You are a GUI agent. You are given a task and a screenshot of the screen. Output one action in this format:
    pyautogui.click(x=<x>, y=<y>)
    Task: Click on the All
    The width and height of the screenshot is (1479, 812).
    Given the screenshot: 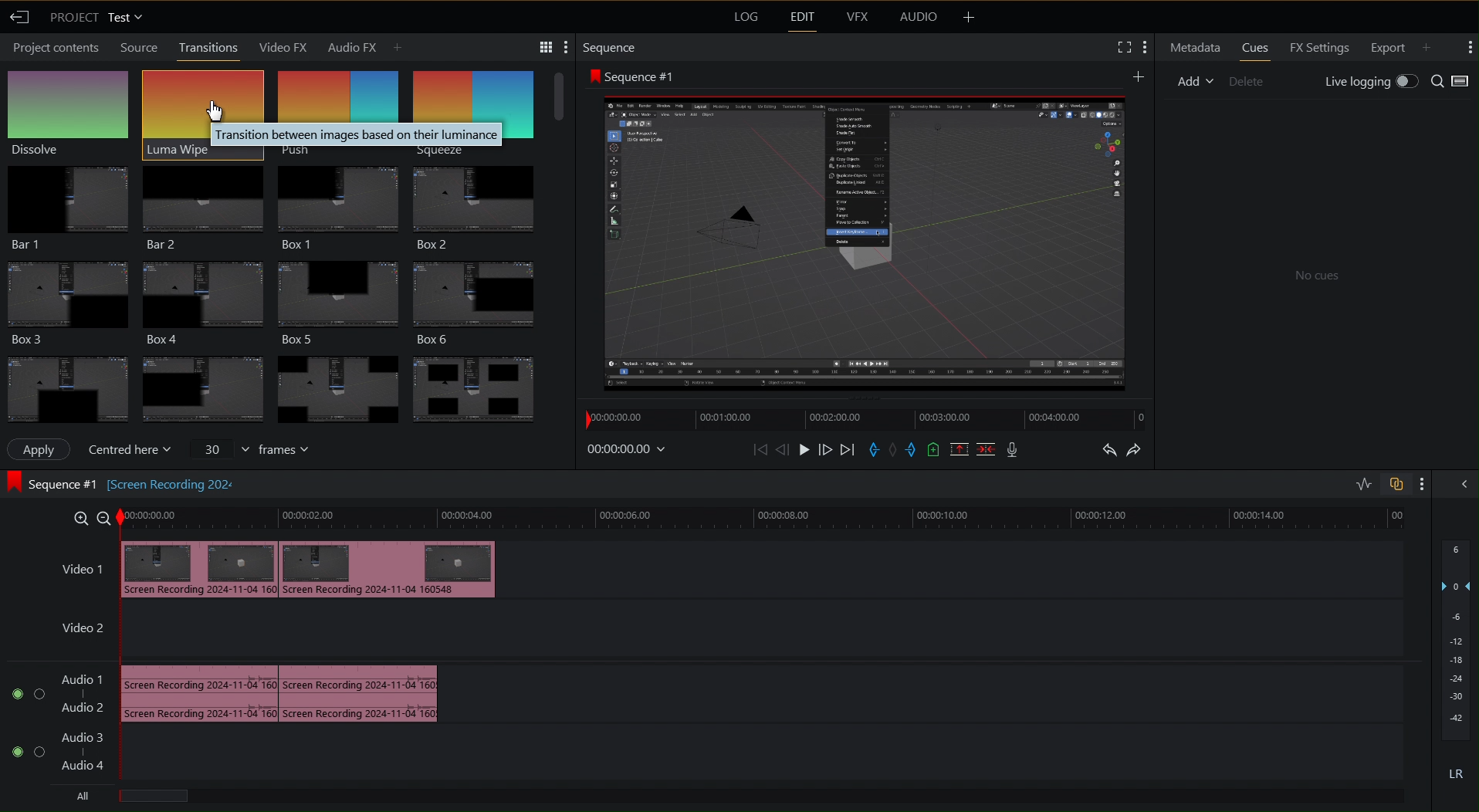 What is the action you would take?
    pyautogui.click(x=81, y=794)
    